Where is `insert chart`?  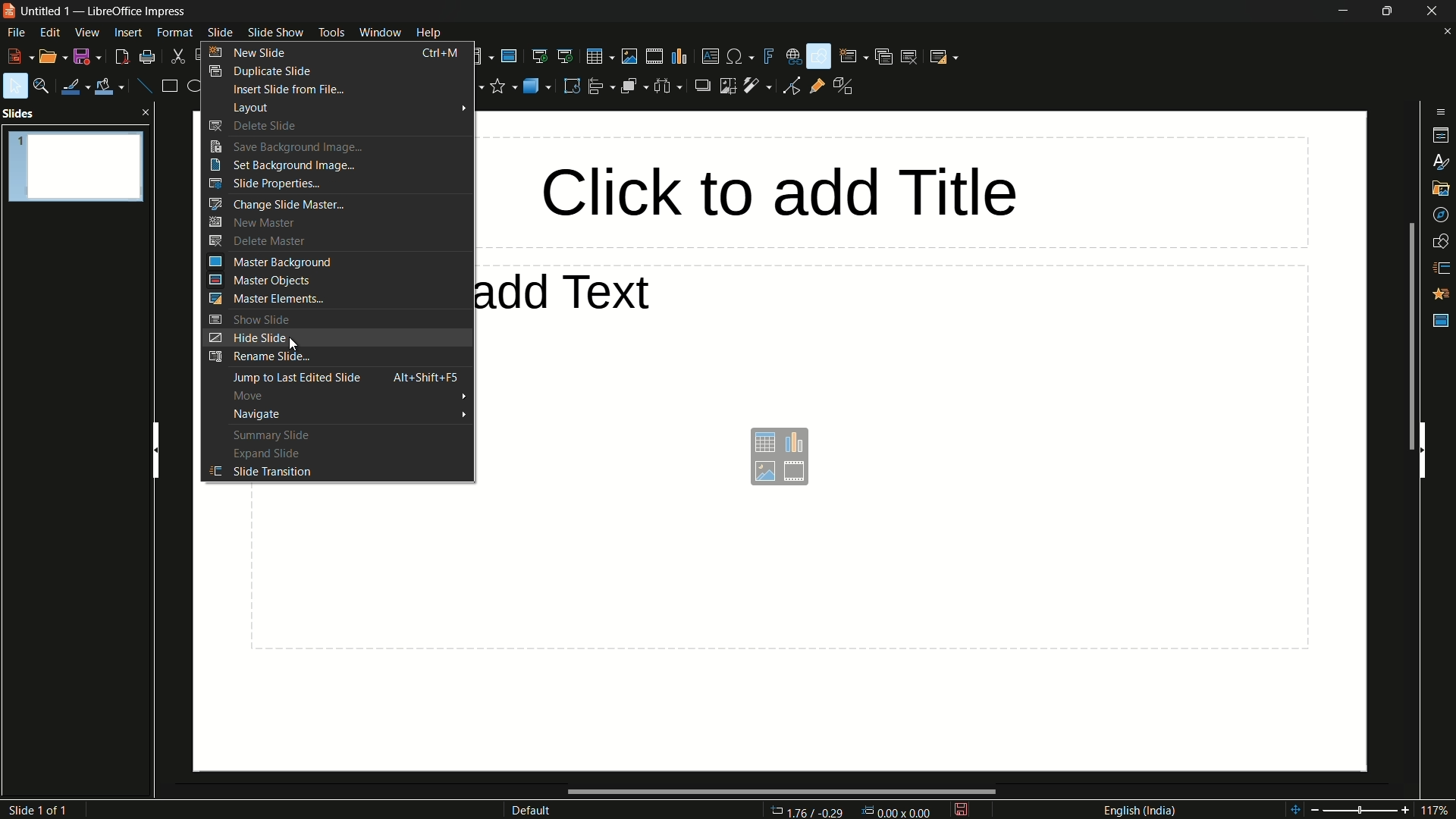
insert chart is located at coordinates (680, 56).